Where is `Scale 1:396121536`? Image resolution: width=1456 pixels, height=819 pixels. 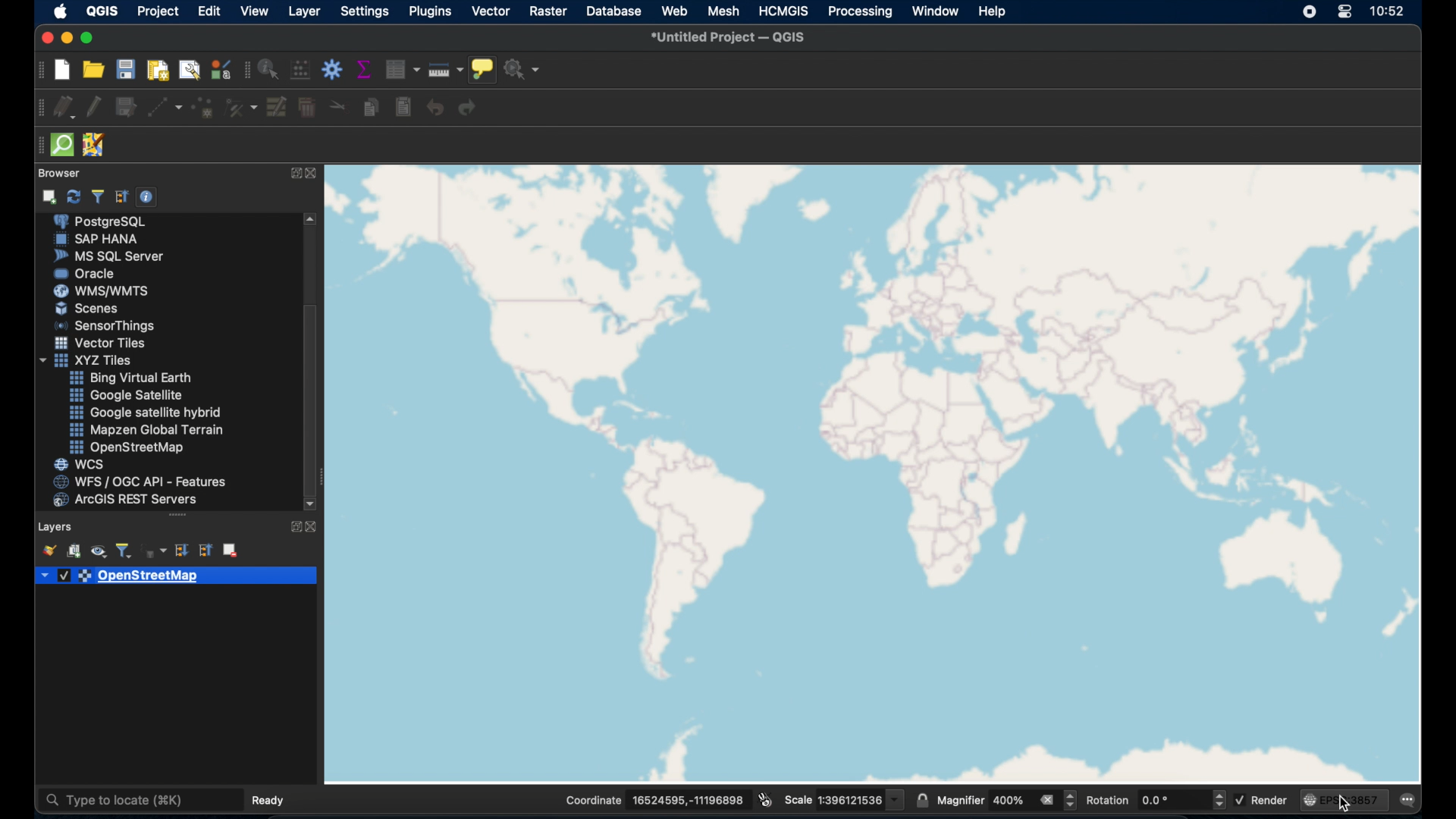 Scale 1:396121536 is located at coordinates (844, 797).